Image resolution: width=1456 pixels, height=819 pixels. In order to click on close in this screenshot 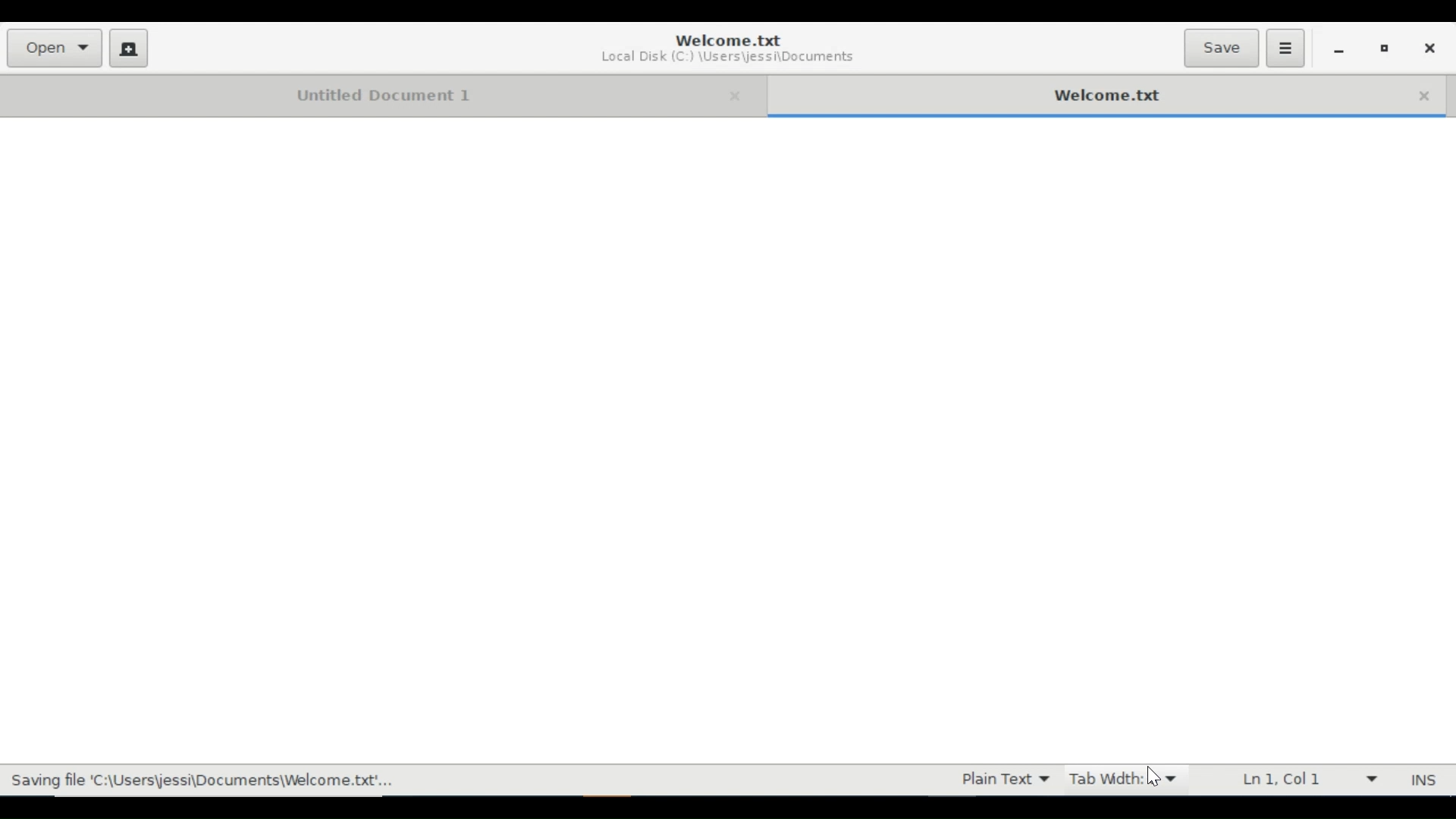, I will do `click(1419, 95)`.